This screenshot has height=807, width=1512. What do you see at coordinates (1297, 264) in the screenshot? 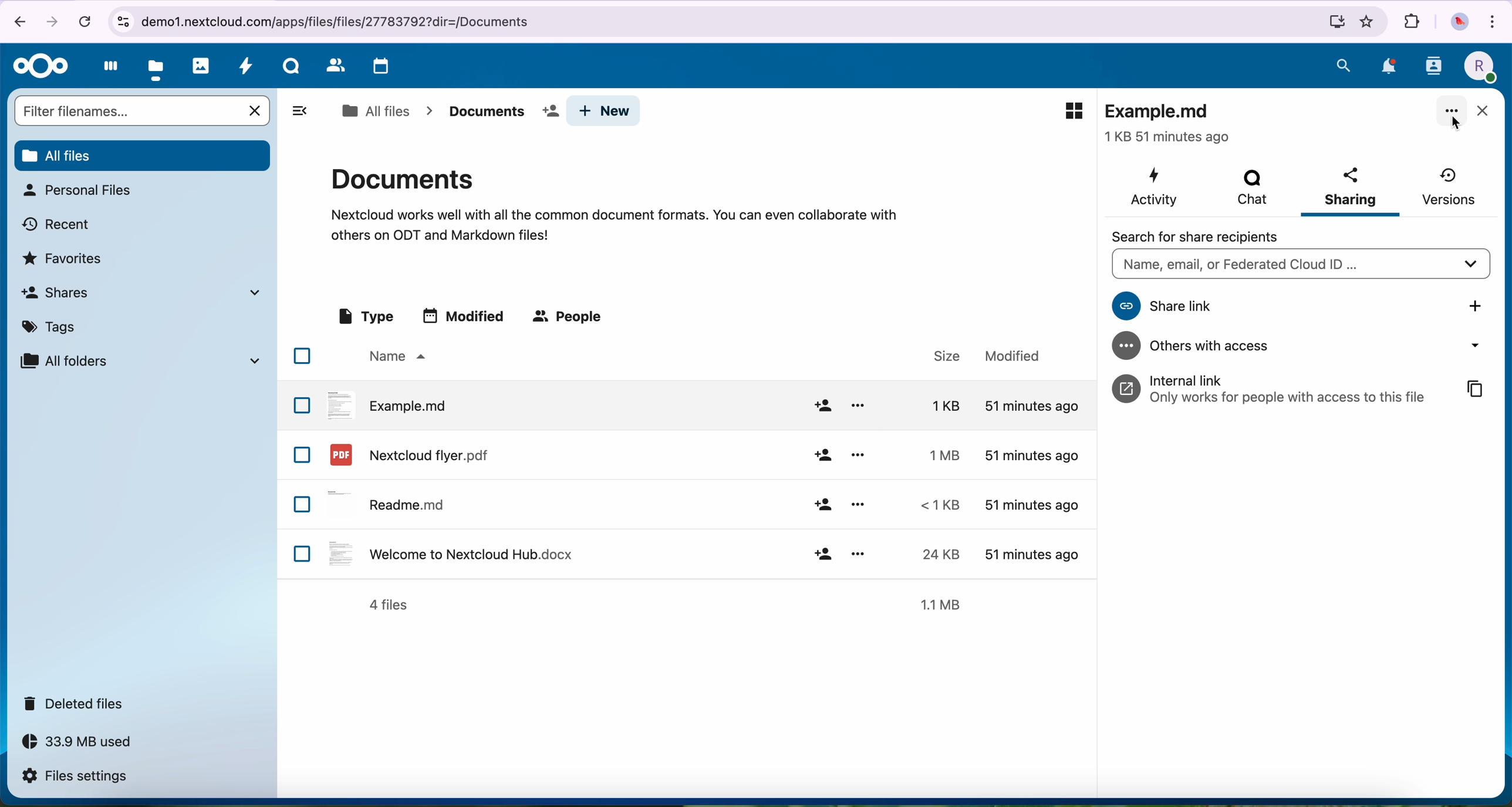
I see `search bar` at bounding box center [1297, 264].